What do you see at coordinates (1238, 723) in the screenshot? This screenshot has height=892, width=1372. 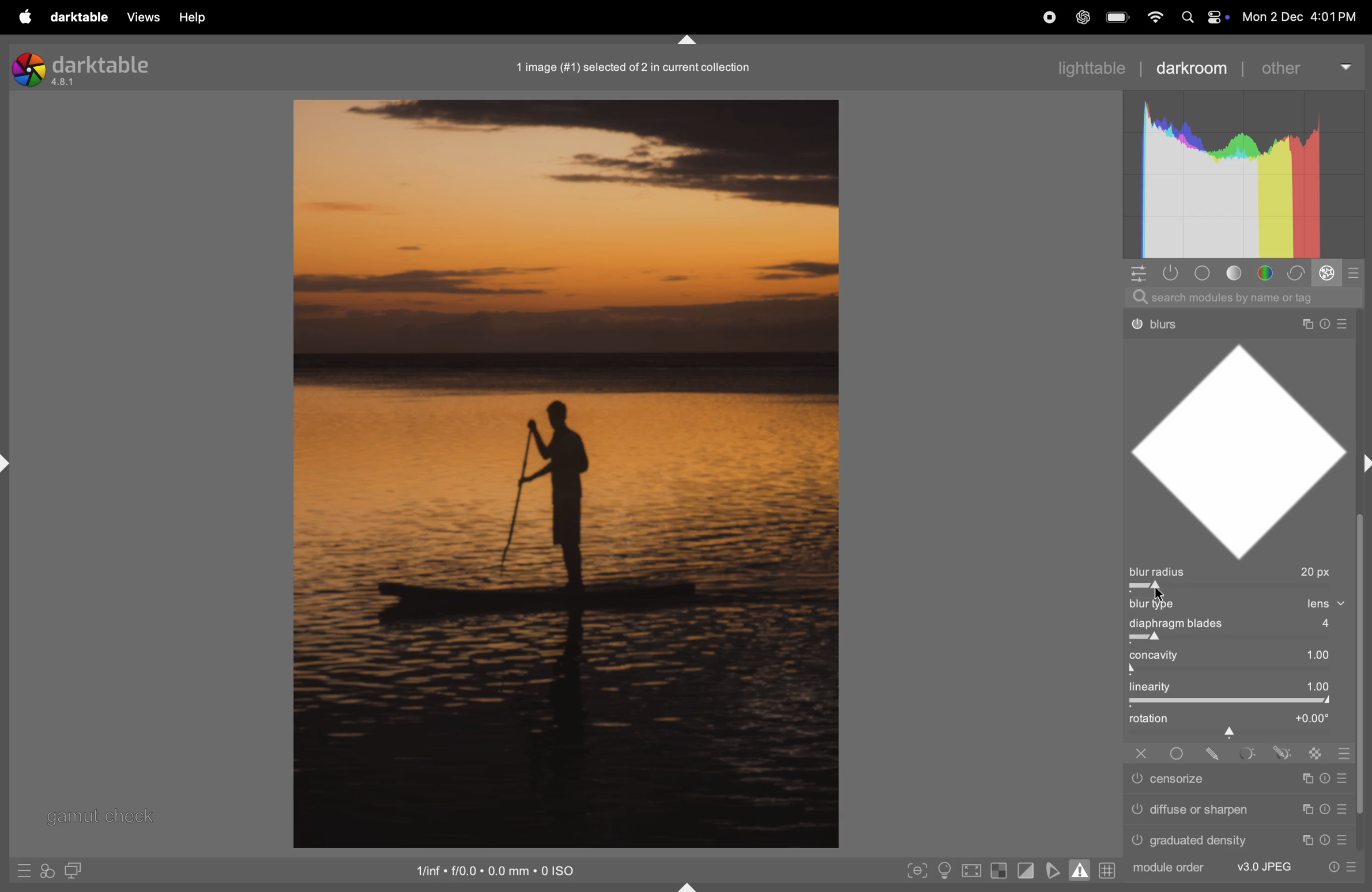 I see `rotation` at bounding box center [1238, 723].